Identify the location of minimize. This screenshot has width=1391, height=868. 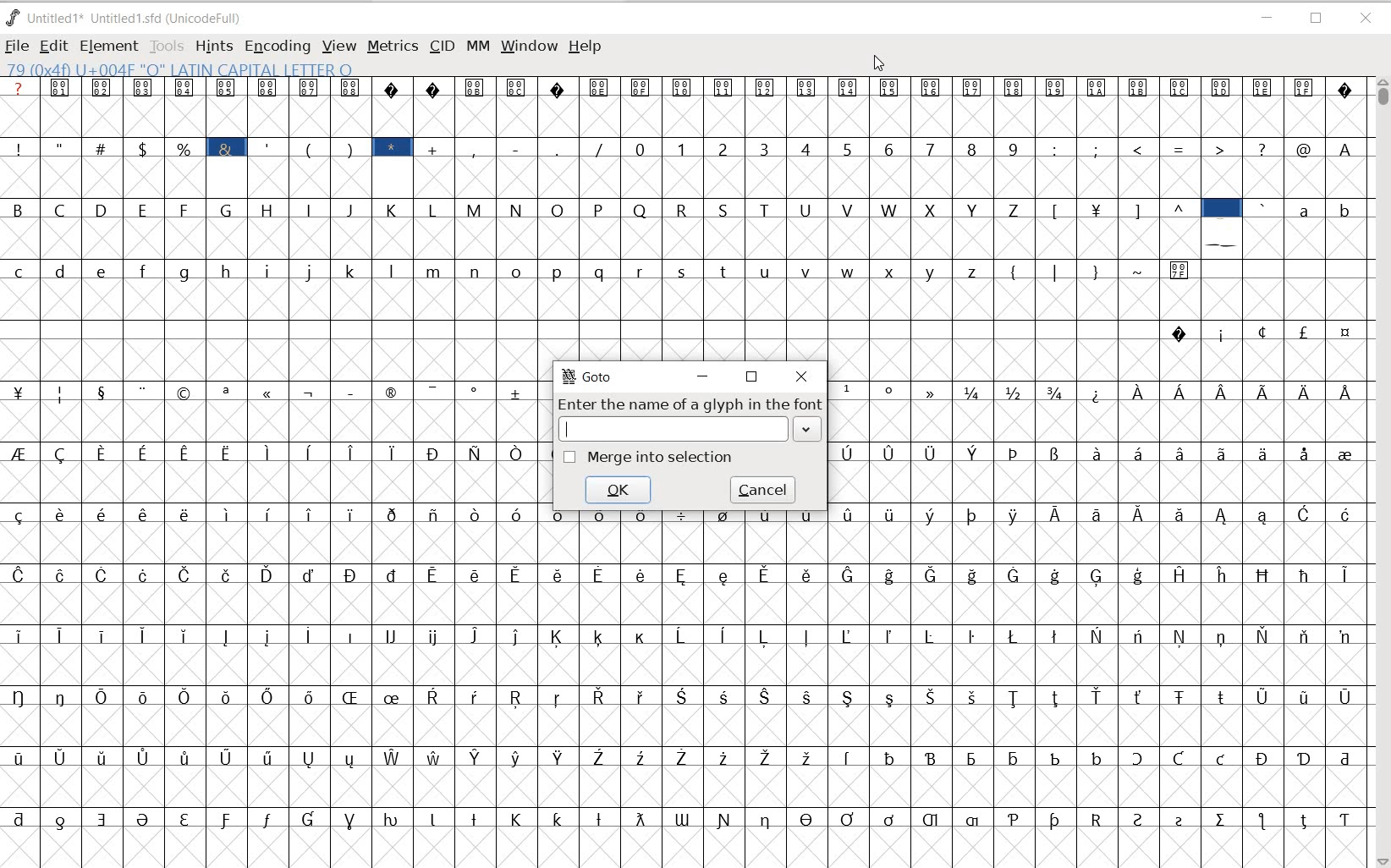
(701, 376).